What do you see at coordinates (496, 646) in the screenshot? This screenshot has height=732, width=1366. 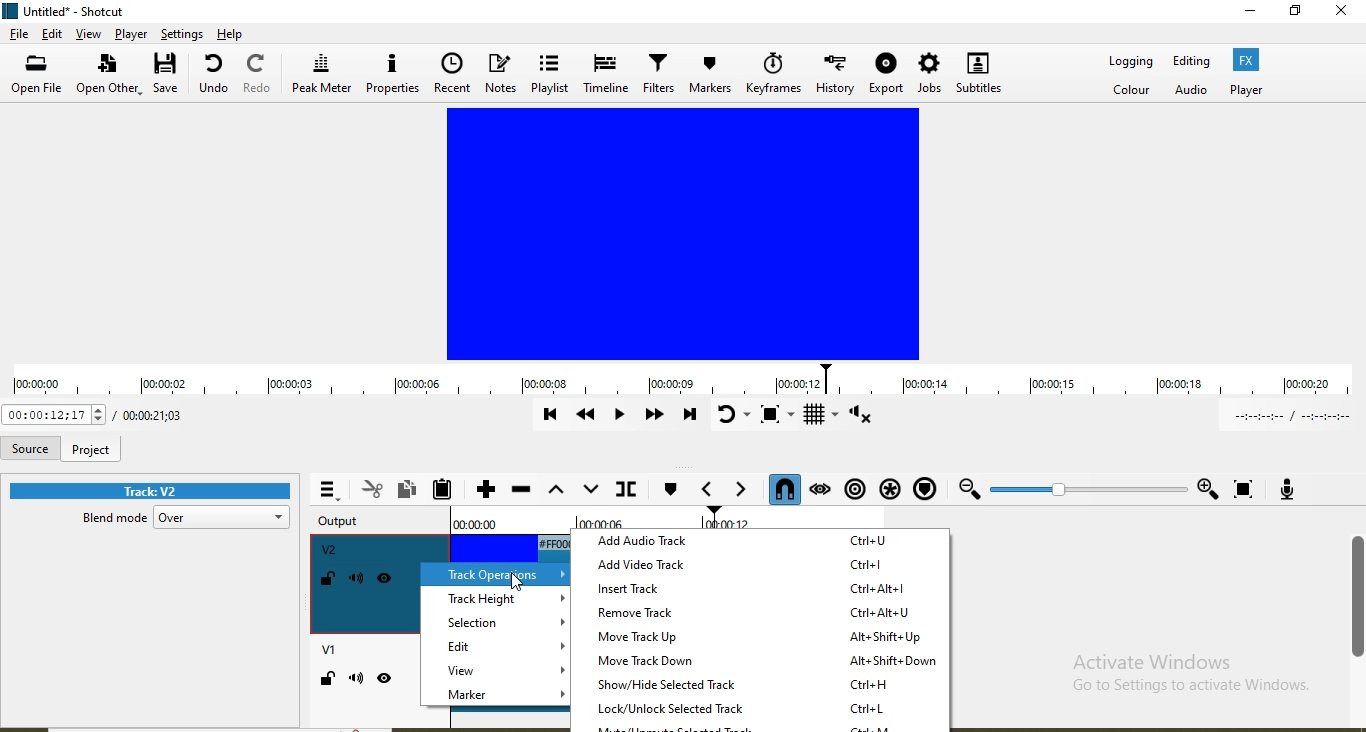 I see `edit` at bounding box center [496, 646].